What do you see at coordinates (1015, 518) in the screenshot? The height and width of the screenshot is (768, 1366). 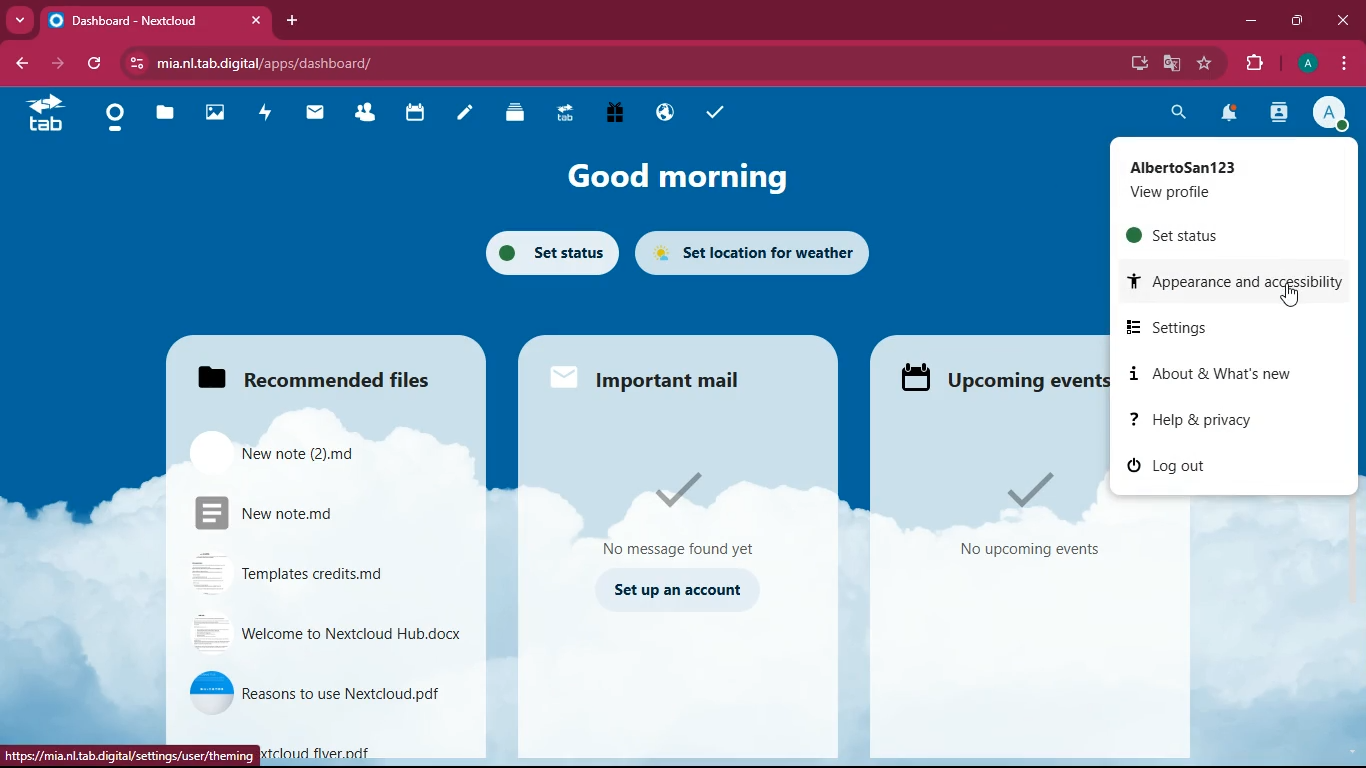 I see `events` at bounding box center [1015, 518].